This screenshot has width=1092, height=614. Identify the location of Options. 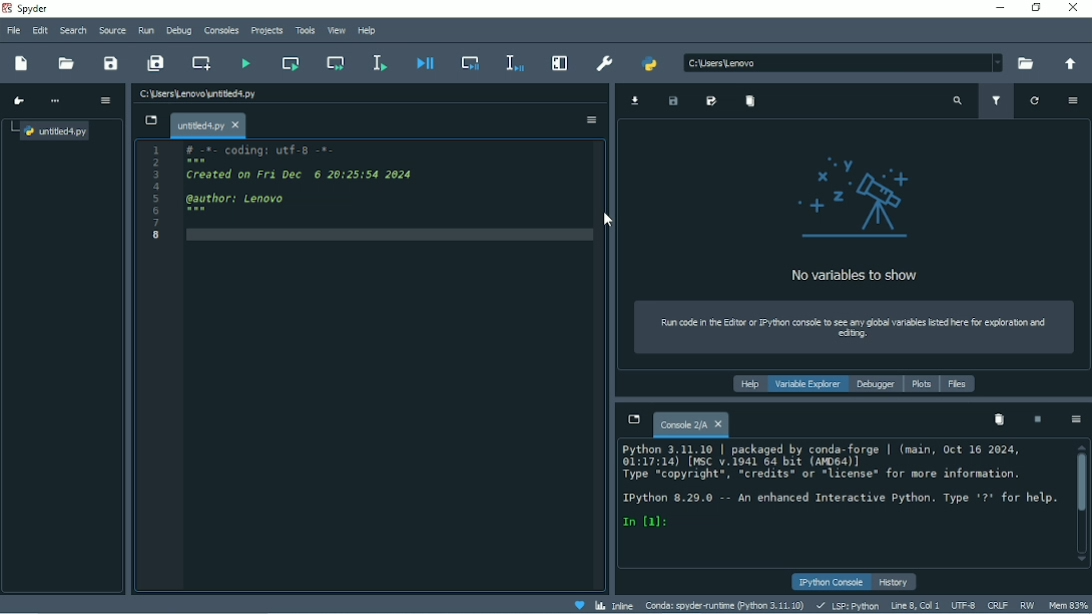
(1076, 421).